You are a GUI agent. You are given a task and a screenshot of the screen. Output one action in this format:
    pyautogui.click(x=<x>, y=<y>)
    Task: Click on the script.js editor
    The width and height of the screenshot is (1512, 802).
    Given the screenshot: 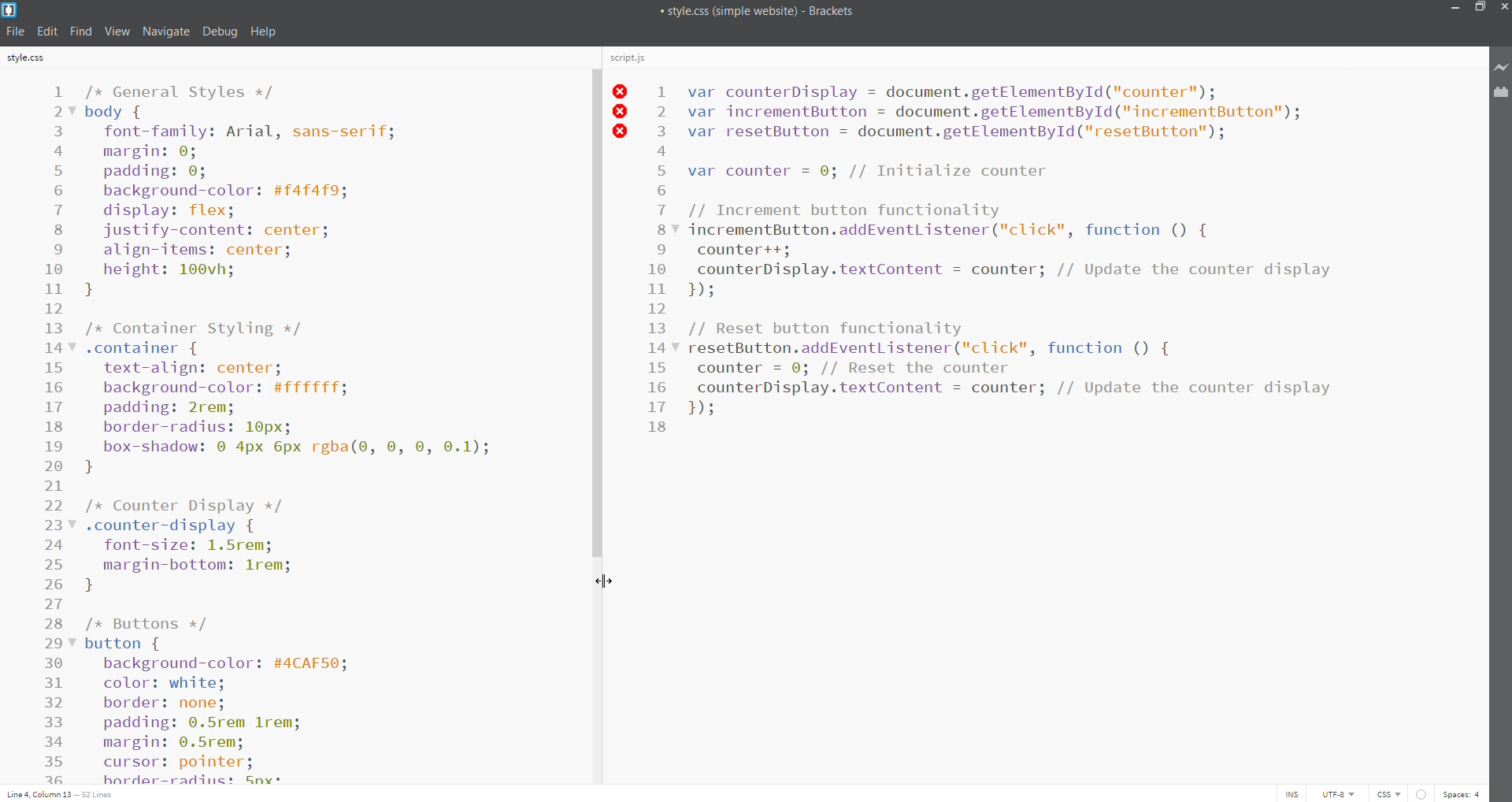 What is the action you would take?
    pyautogui.click(x=1071, y=429)
    